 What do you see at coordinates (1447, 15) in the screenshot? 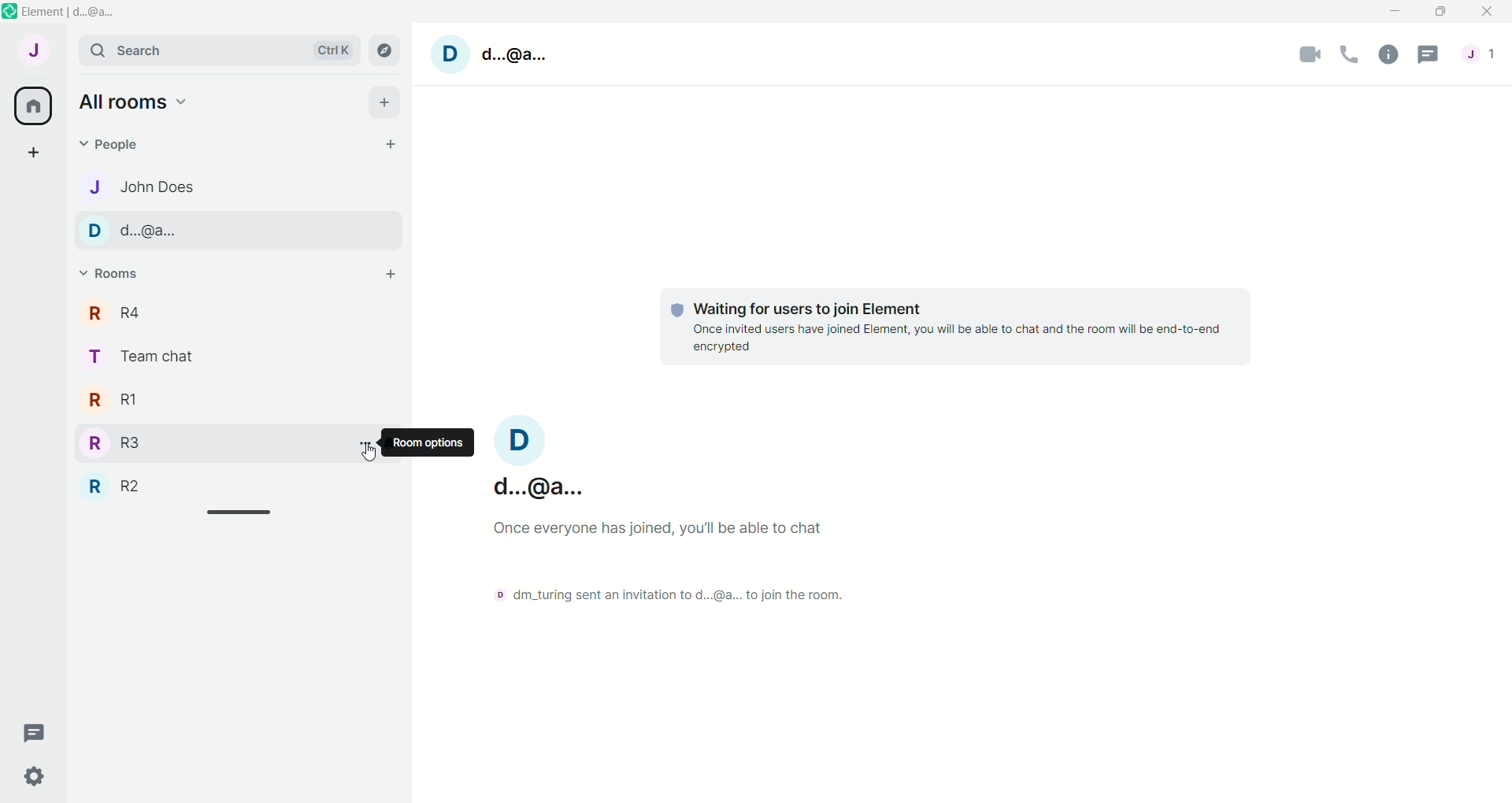
I see `maximize` at bounding box center [1447, 15].